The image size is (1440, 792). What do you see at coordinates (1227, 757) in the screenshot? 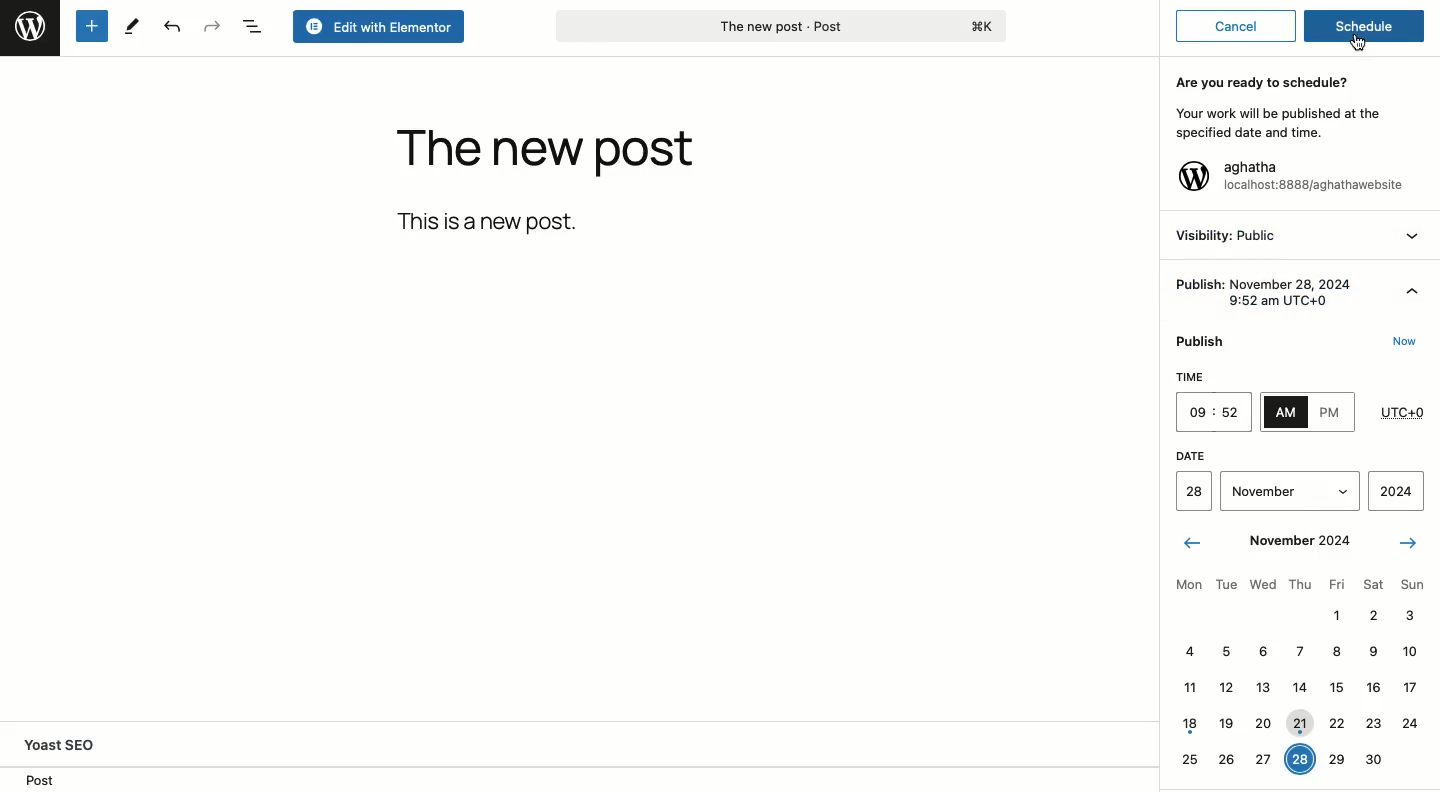
I see `26` at bounding box center [1227, 757].